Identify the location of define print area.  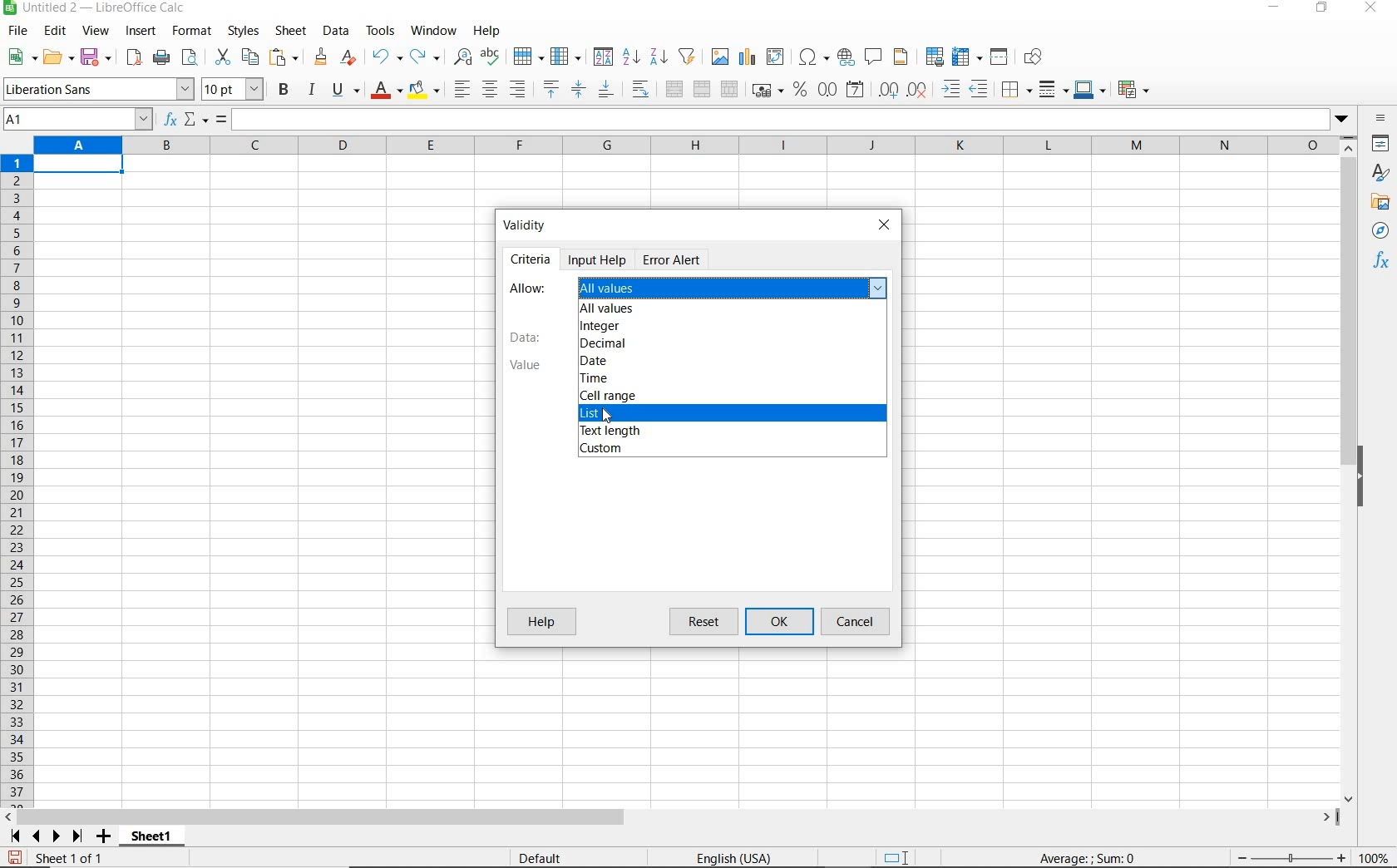
(933, 57).